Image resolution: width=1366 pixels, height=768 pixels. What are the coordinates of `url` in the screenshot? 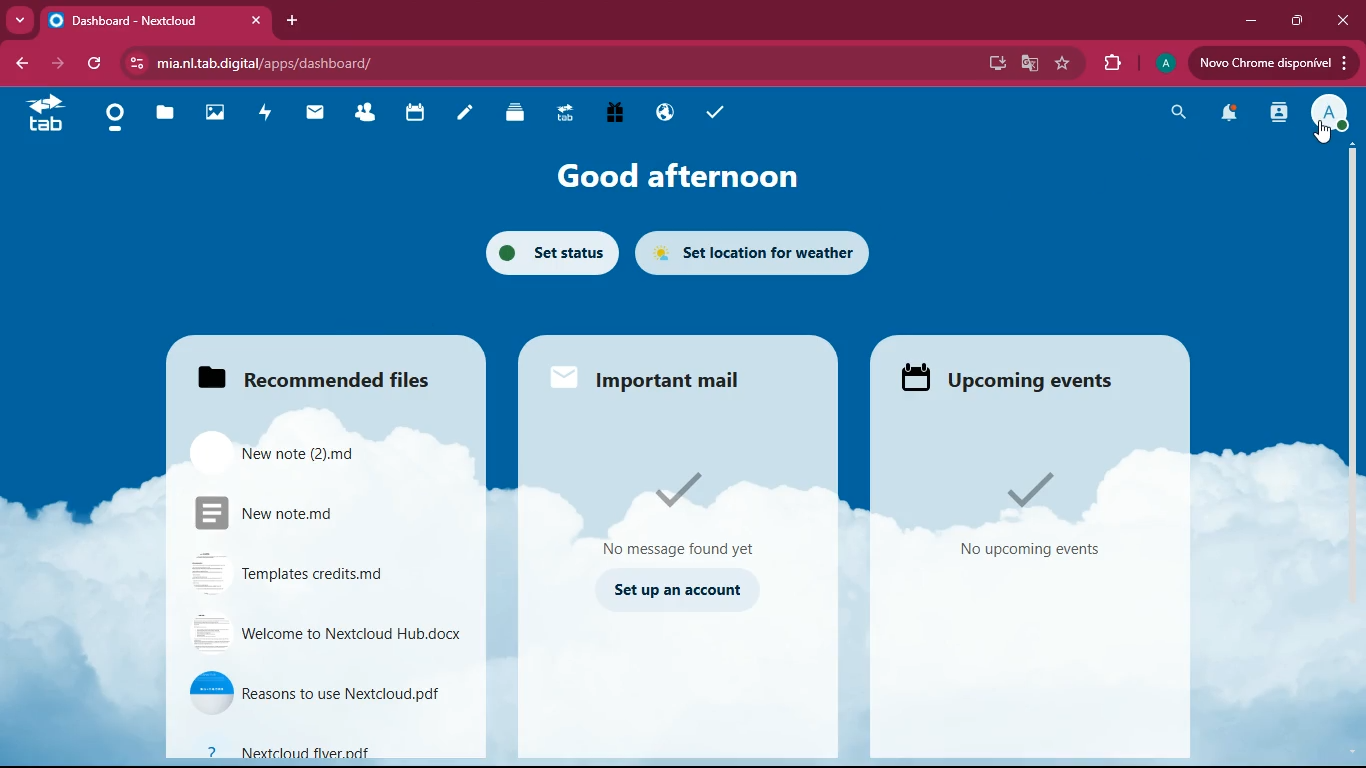 It's located at (306, 62).